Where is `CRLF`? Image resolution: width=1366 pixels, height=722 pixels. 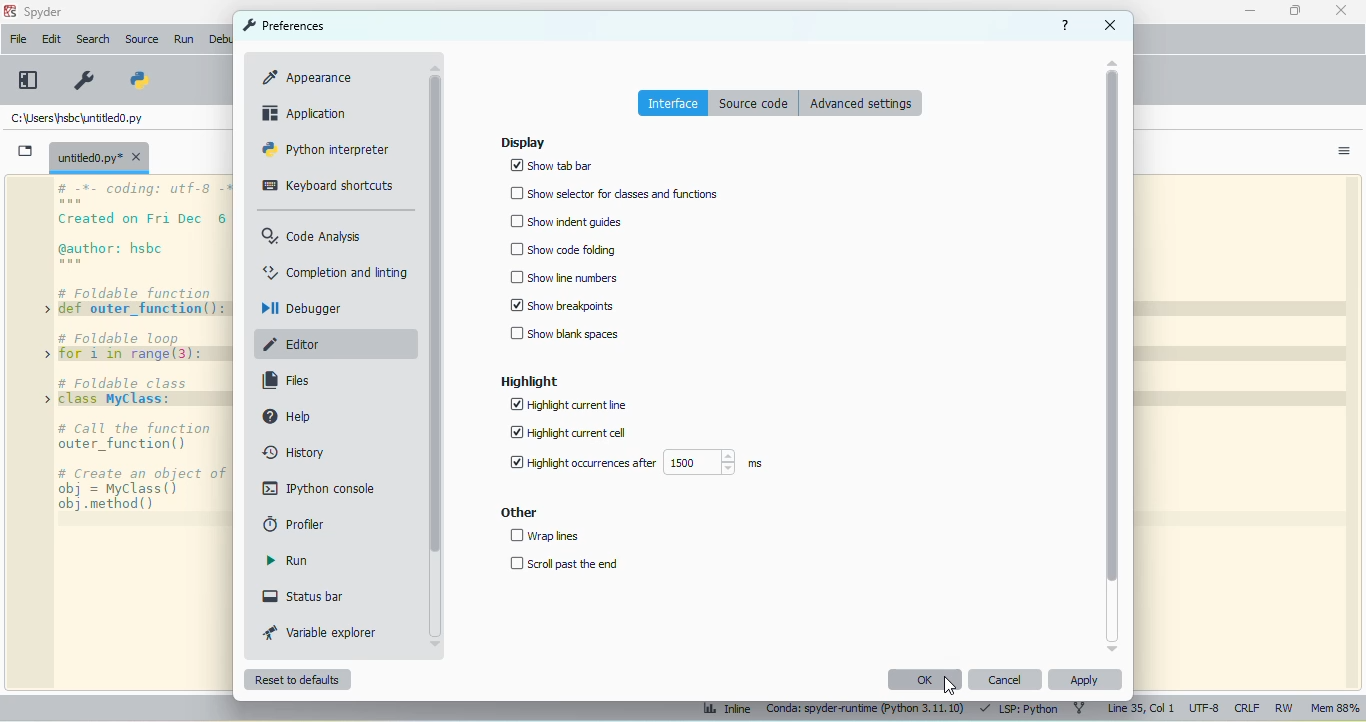 CRLF is located at coordinates (1247, 709).